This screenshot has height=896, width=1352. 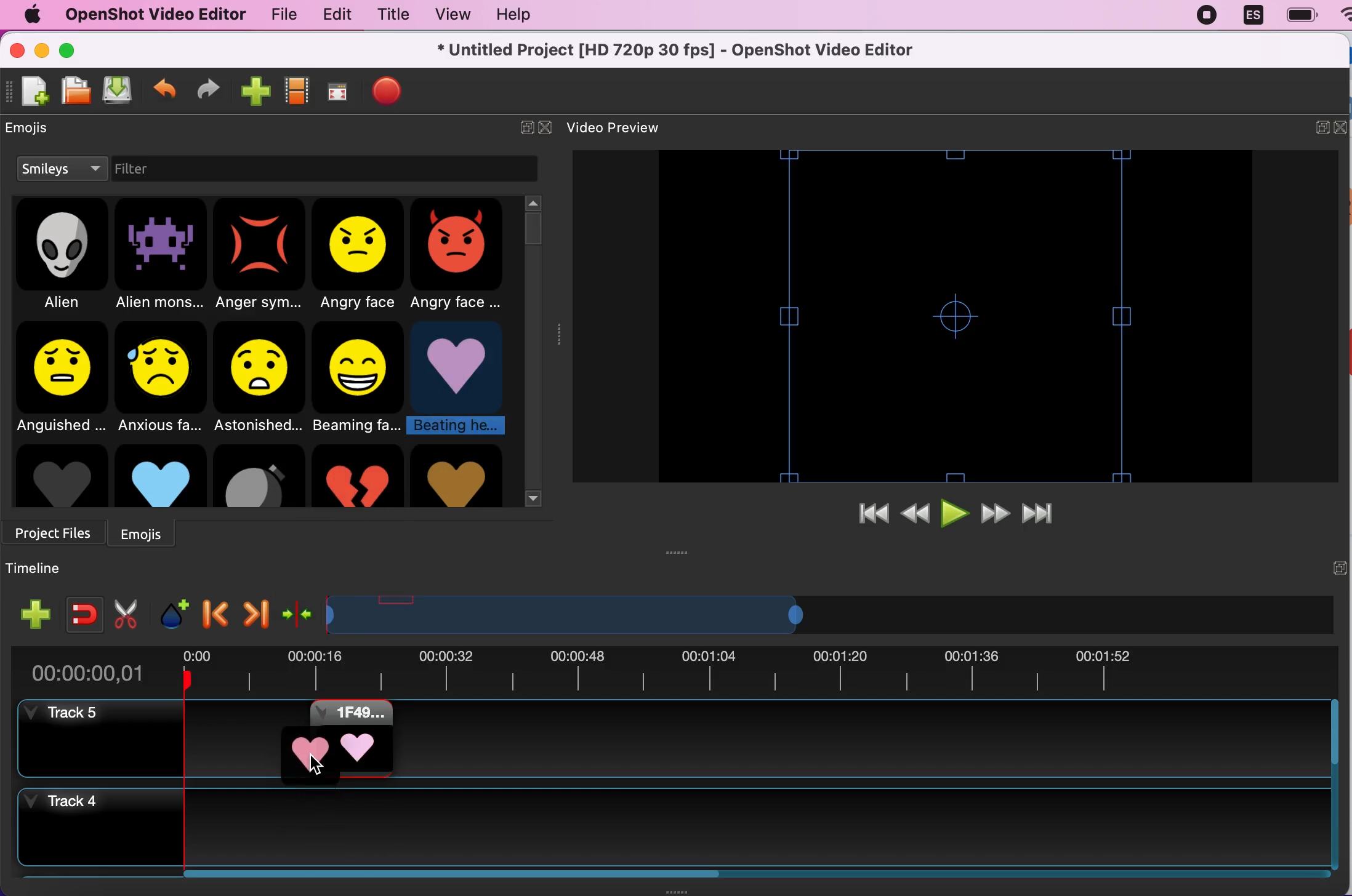 I want to click on close, so click(x=16, y=54).